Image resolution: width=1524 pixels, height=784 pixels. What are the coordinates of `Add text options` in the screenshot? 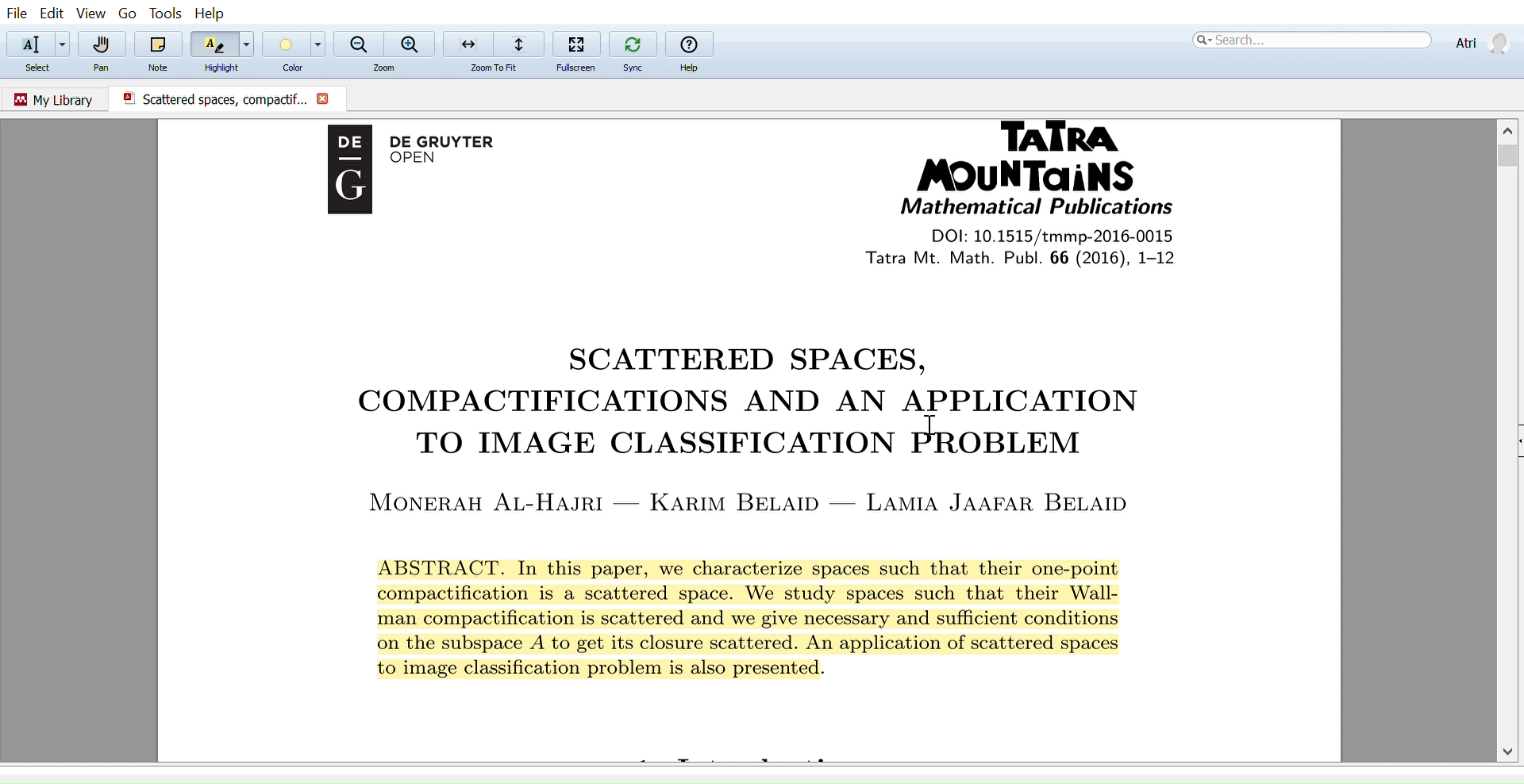 It's located at (63, 44).